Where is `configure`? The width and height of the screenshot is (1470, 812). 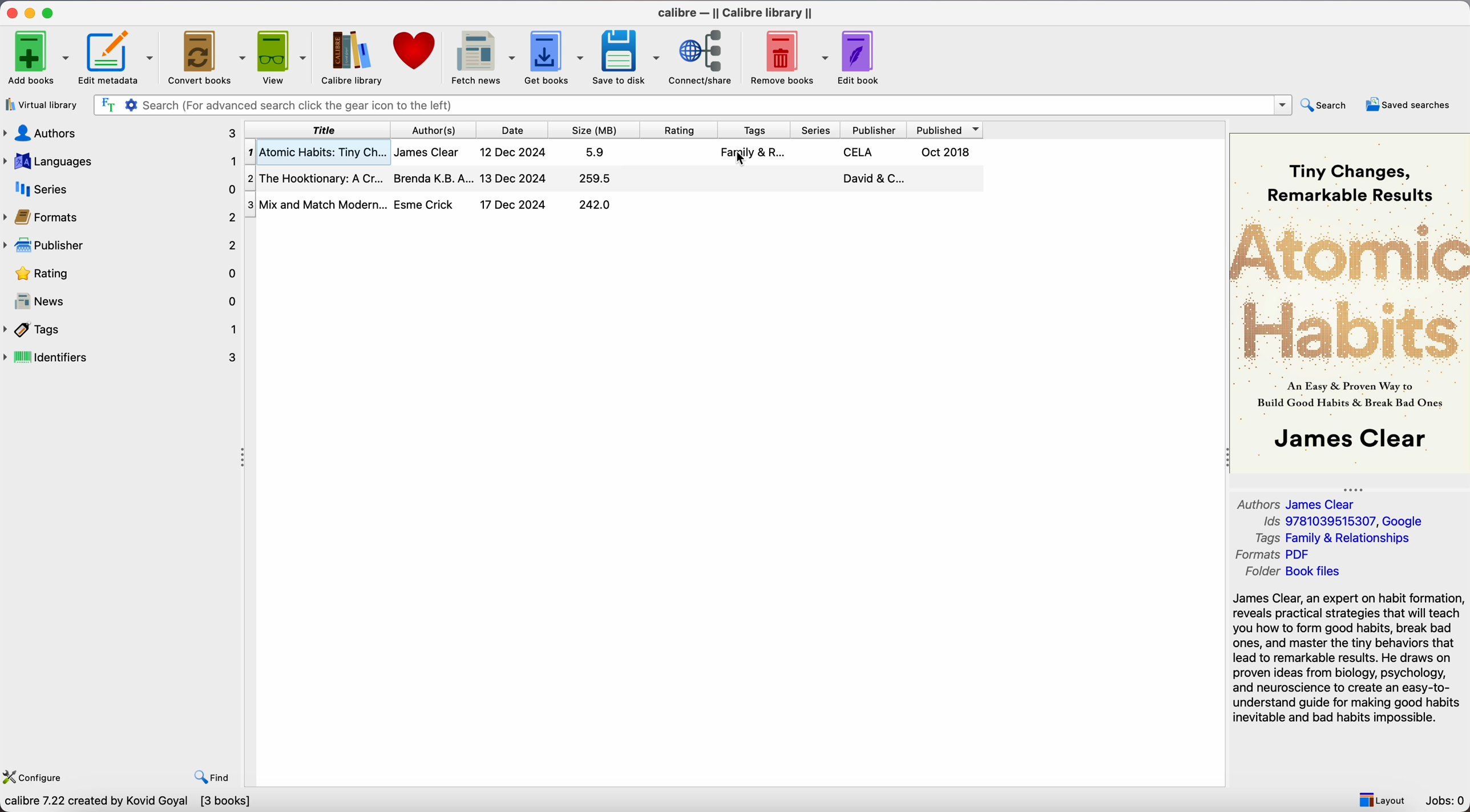
configure is located at coordinates (34, 777).